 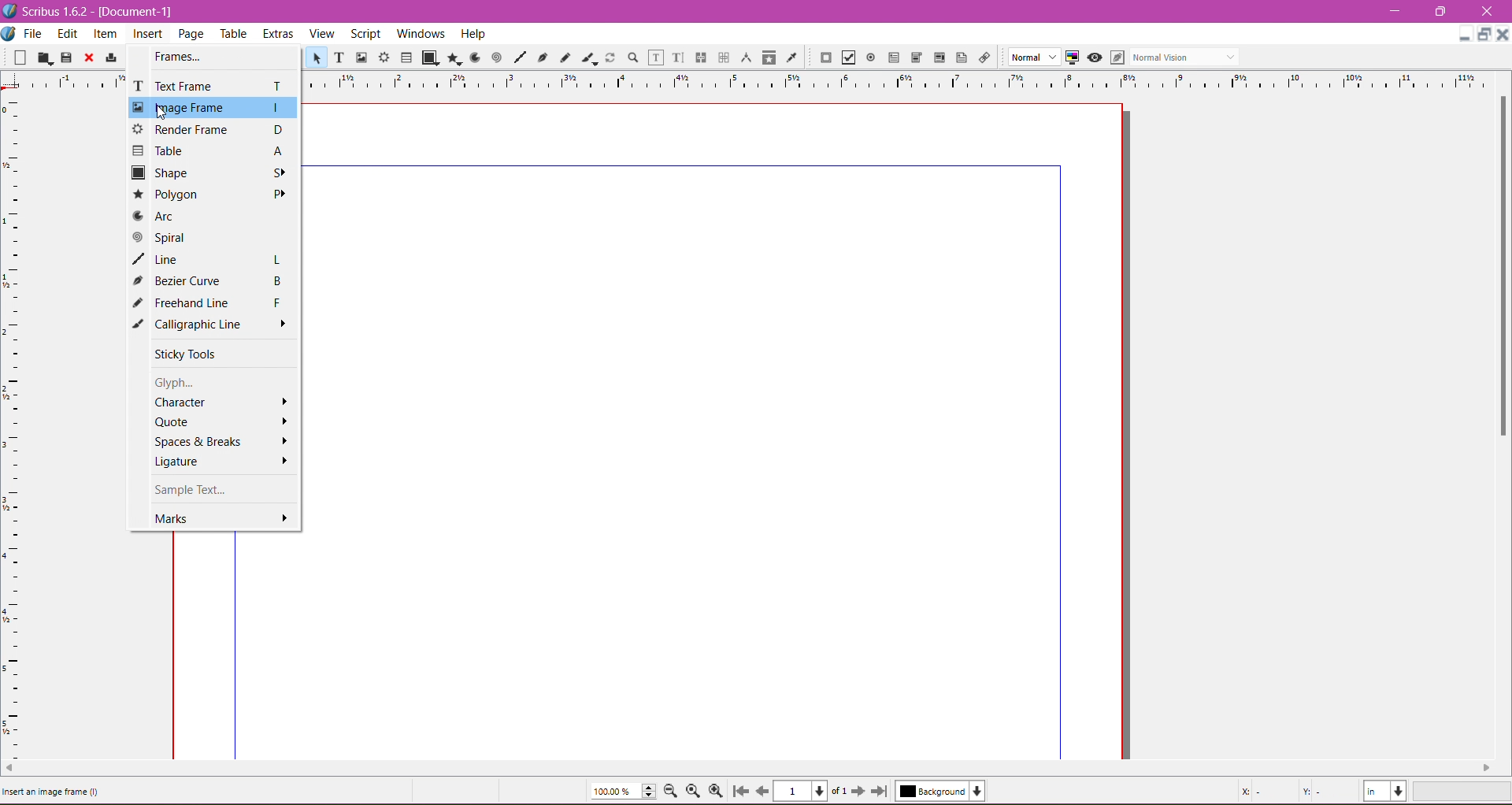 What do you see at coordinates (701, 57) in the screenshot?
I see `Link Text Frames` at bounding box center [701, 57].